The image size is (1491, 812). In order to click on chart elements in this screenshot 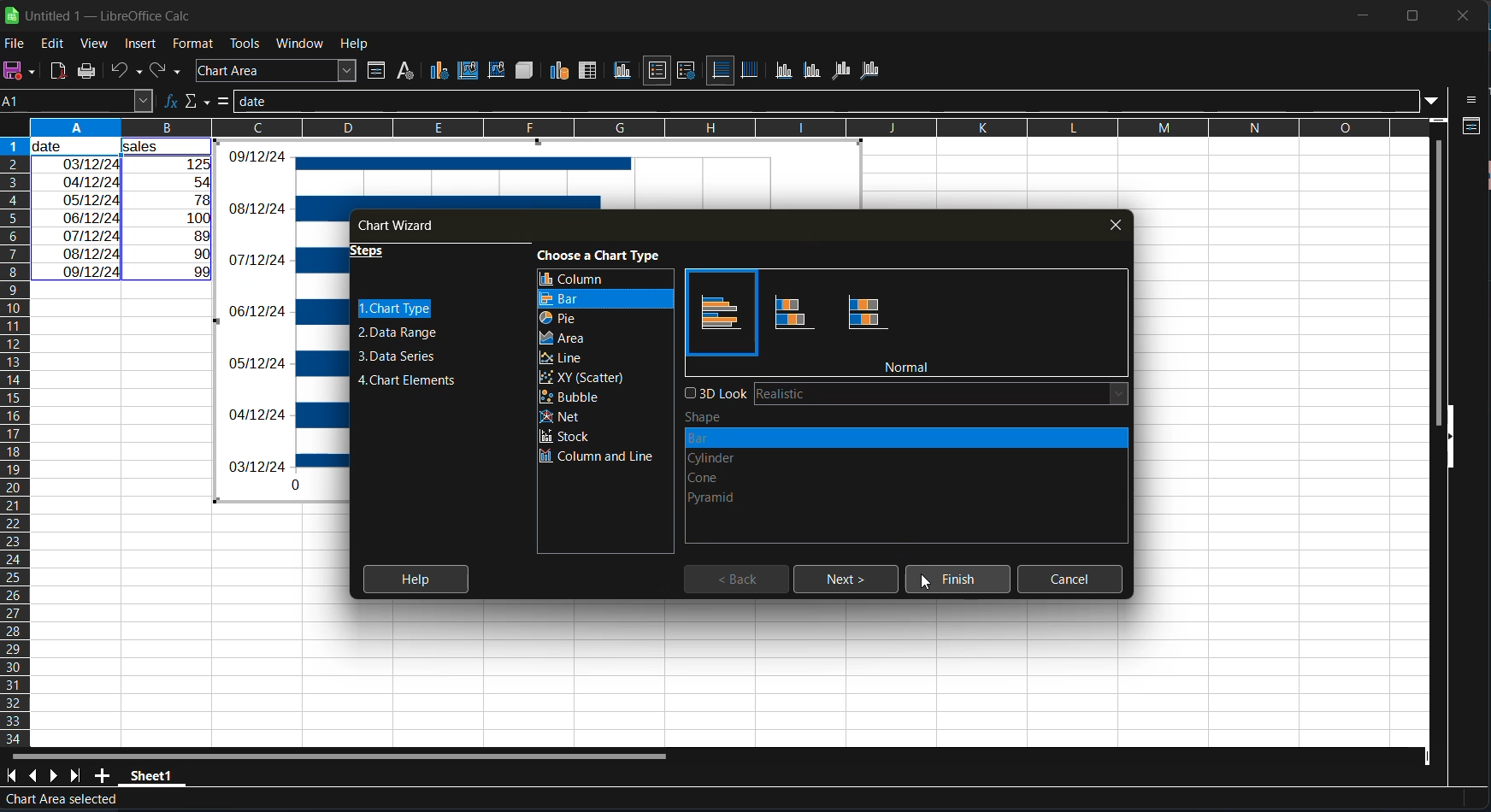, I will do `click(407, 382)`.